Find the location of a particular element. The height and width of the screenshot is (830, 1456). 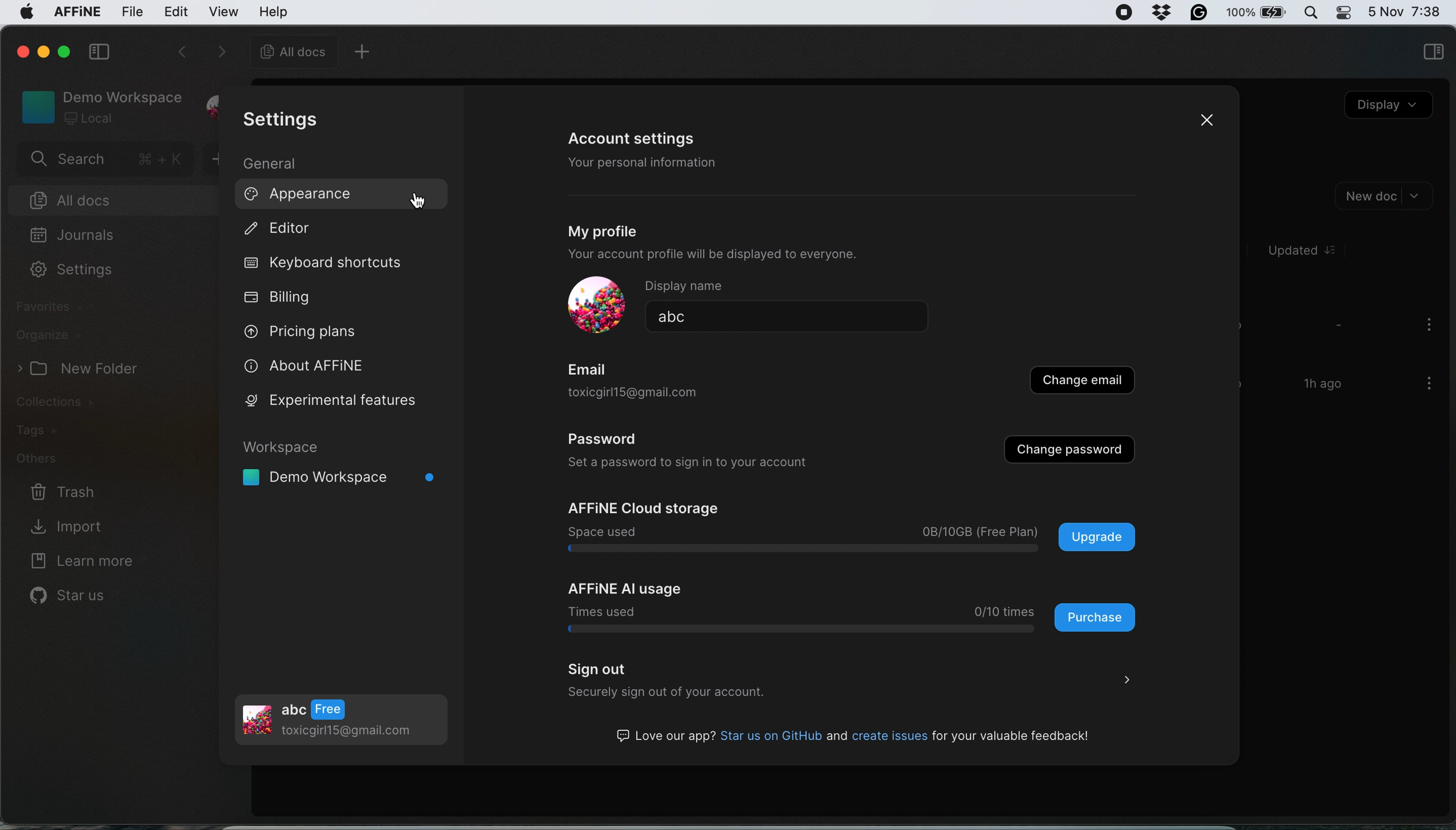

forward is located at coordinates (218, 53).